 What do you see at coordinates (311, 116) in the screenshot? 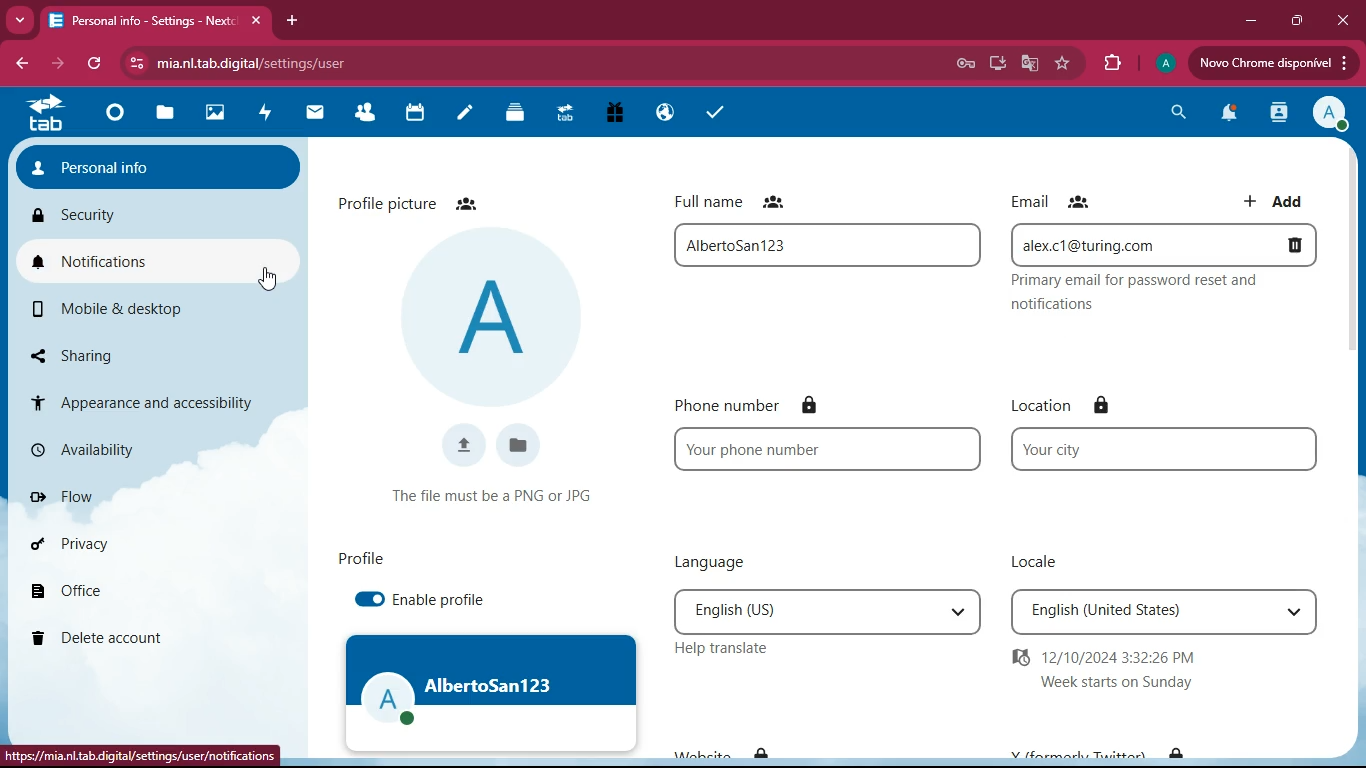
I see `mail` at bounding box center [311, 116].